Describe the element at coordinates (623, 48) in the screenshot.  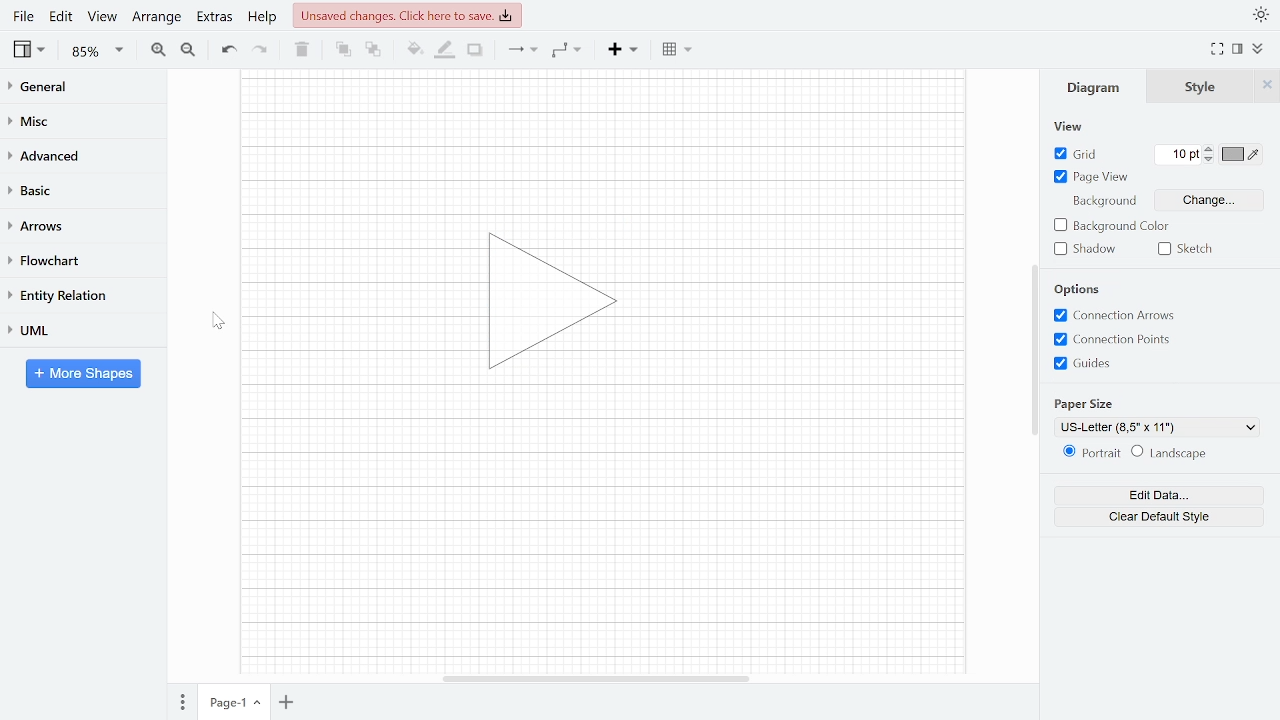
I see `Insert` at that location.